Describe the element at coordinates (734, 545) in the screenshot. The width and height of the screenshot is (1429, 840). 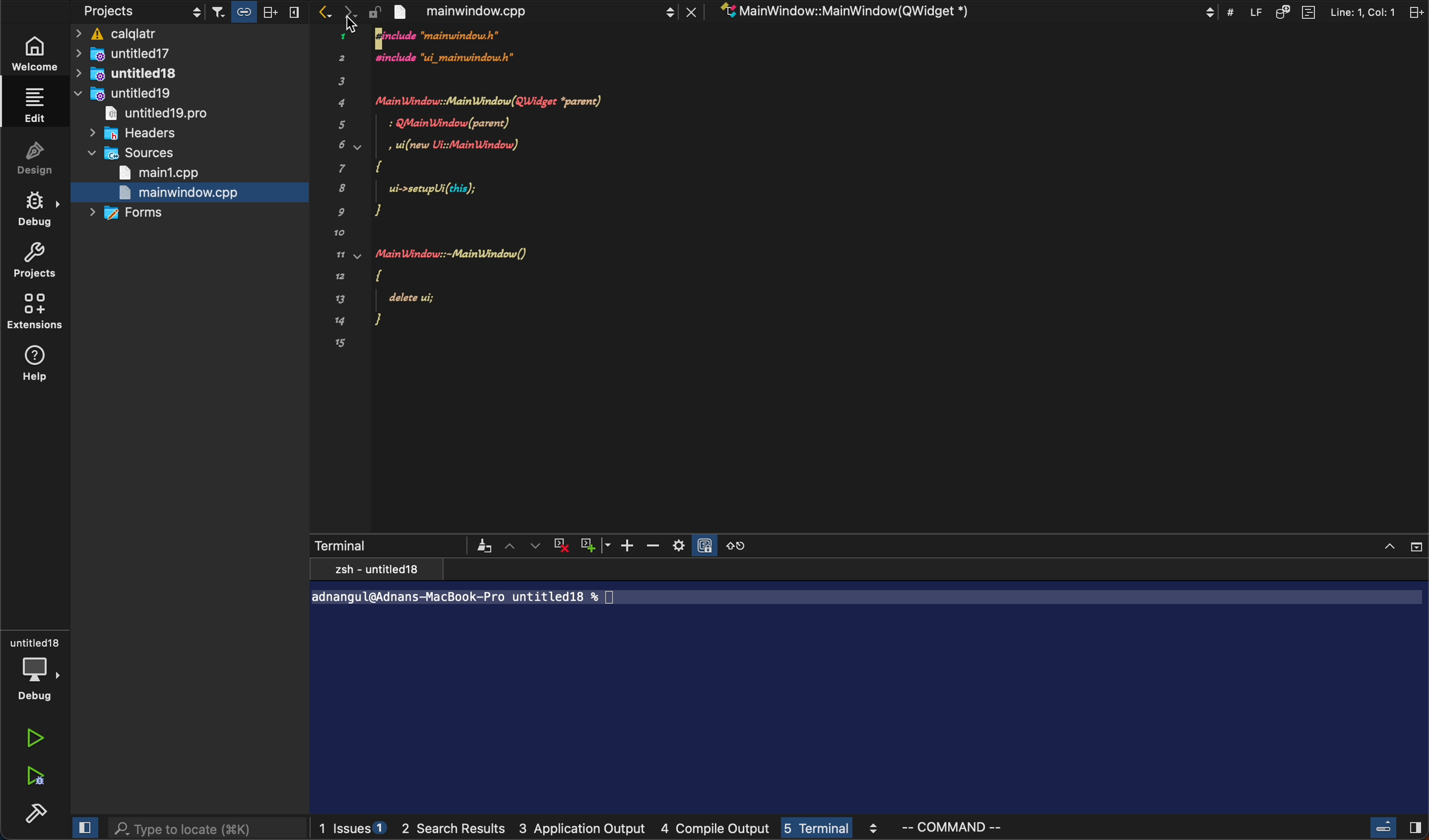
I see `open in new terminal` at that location.